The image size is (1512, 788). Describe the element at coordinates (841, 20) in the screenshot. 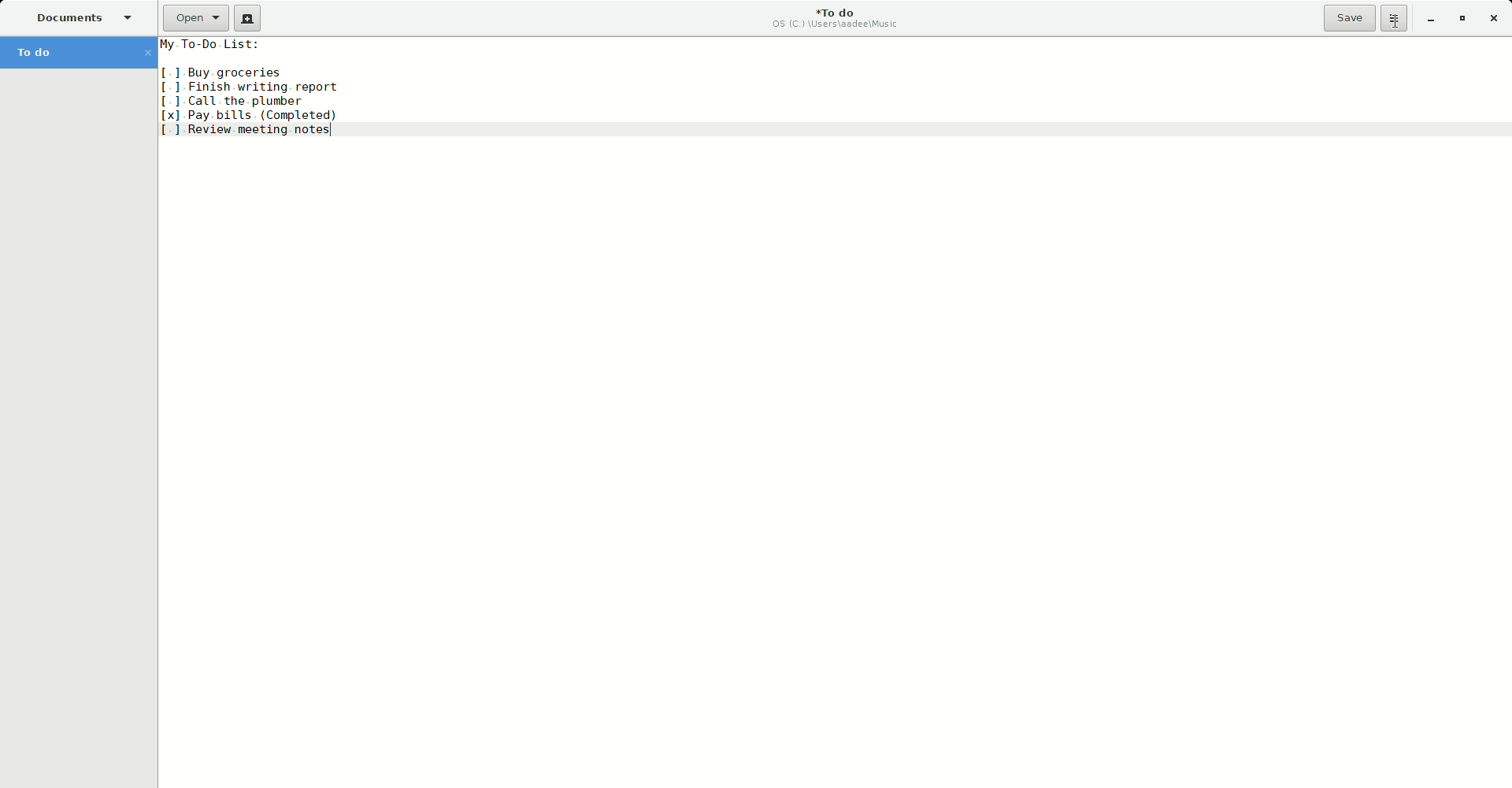

I see `To do` at that location.